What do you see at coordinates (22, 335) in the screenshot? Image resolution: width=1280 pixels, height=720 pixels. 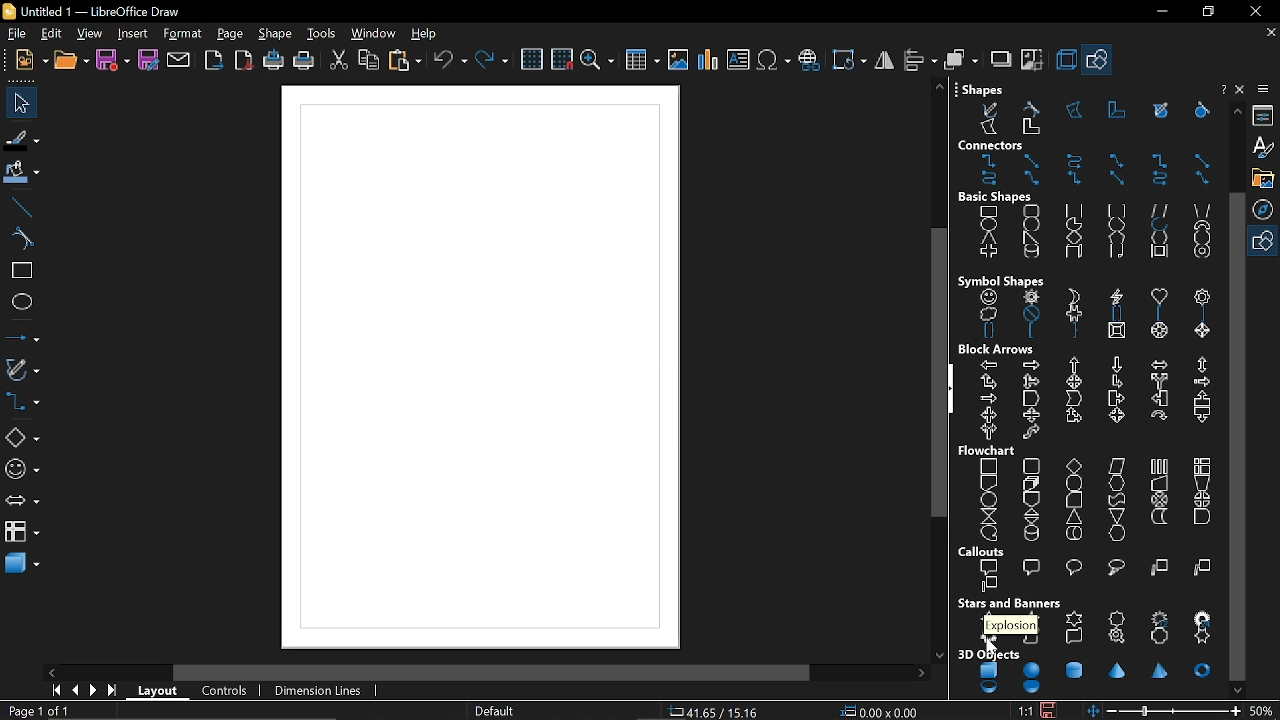 I see `lines and arrows` at bounding box center [22, 335].